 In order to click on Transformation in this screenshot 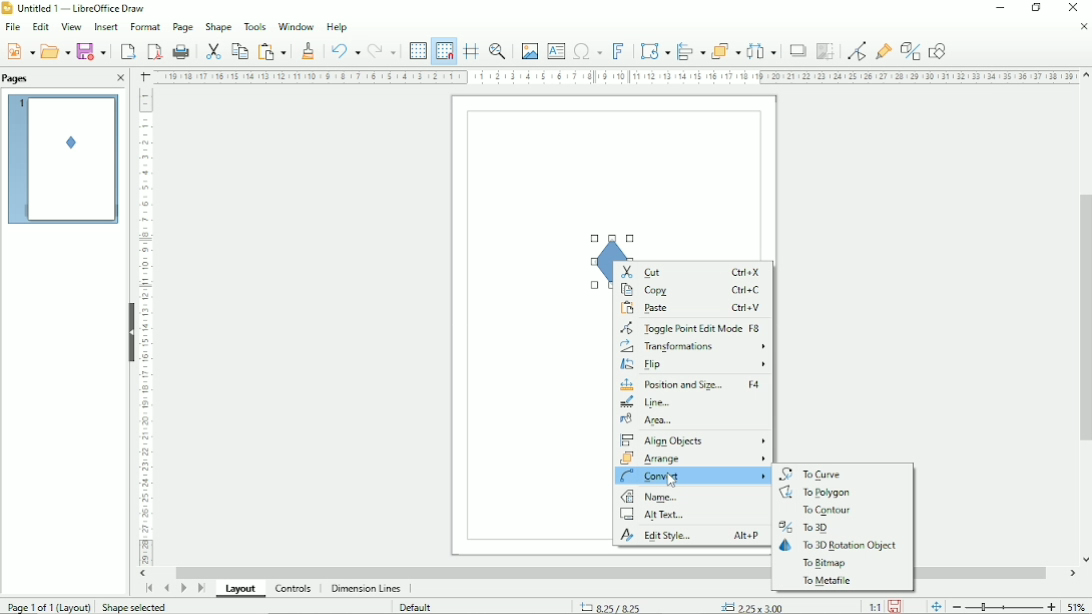, I will do `click(652, 50)`.